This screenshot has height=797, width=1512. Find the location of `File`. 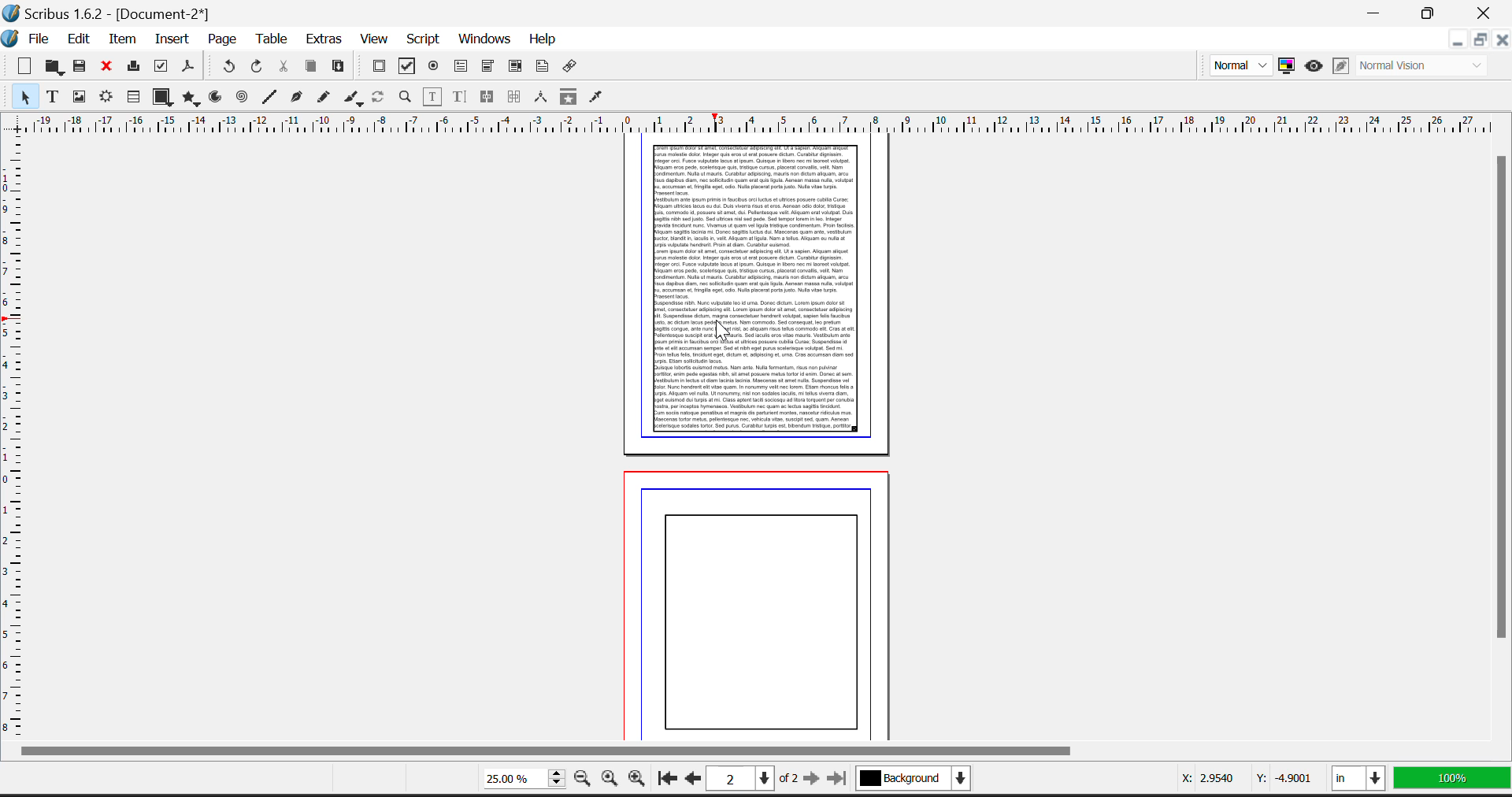

File is located at coordinates (43, 40).